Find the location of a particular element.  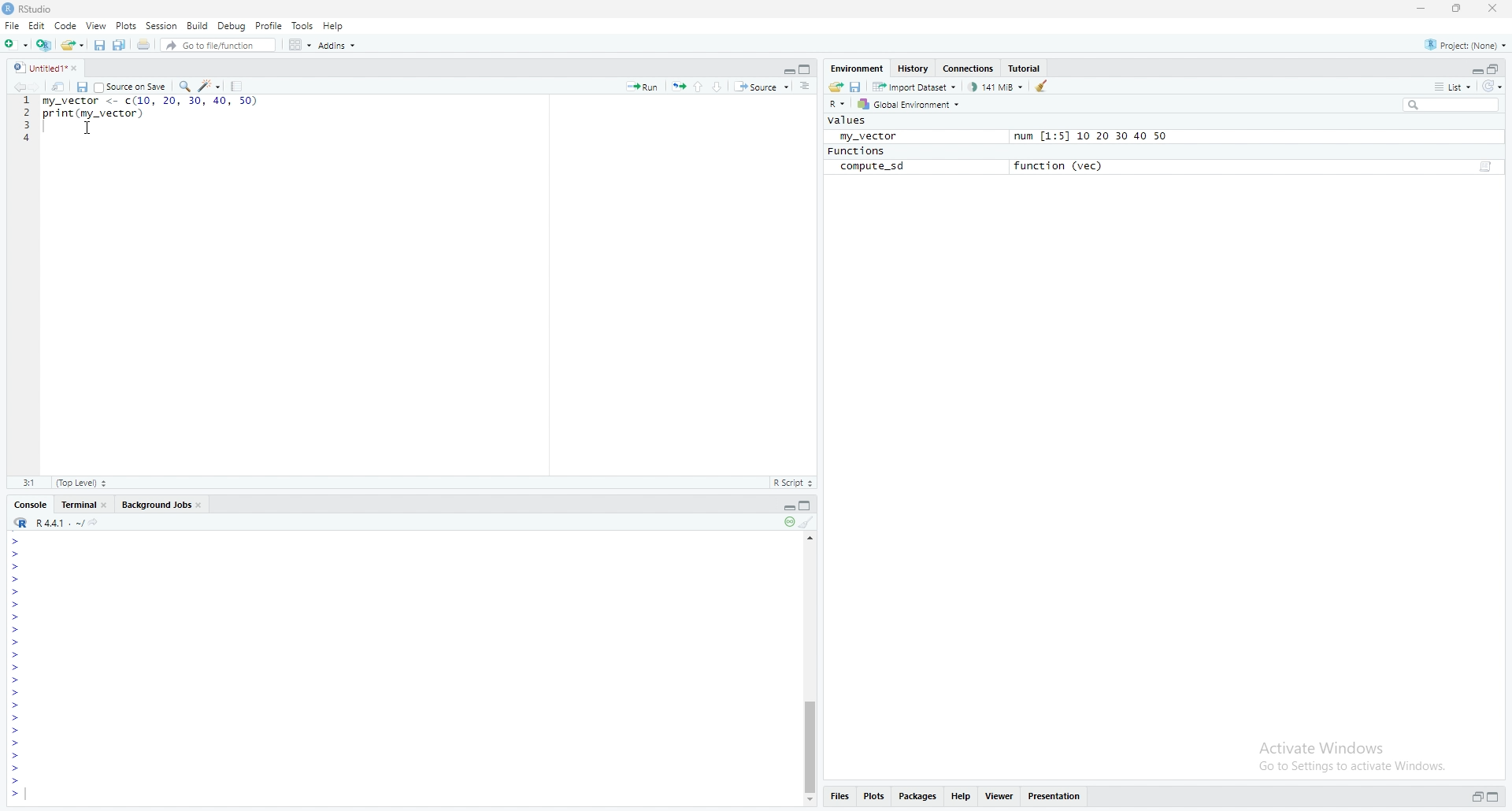

Prompt cursor is located at coordinates (14, 794).